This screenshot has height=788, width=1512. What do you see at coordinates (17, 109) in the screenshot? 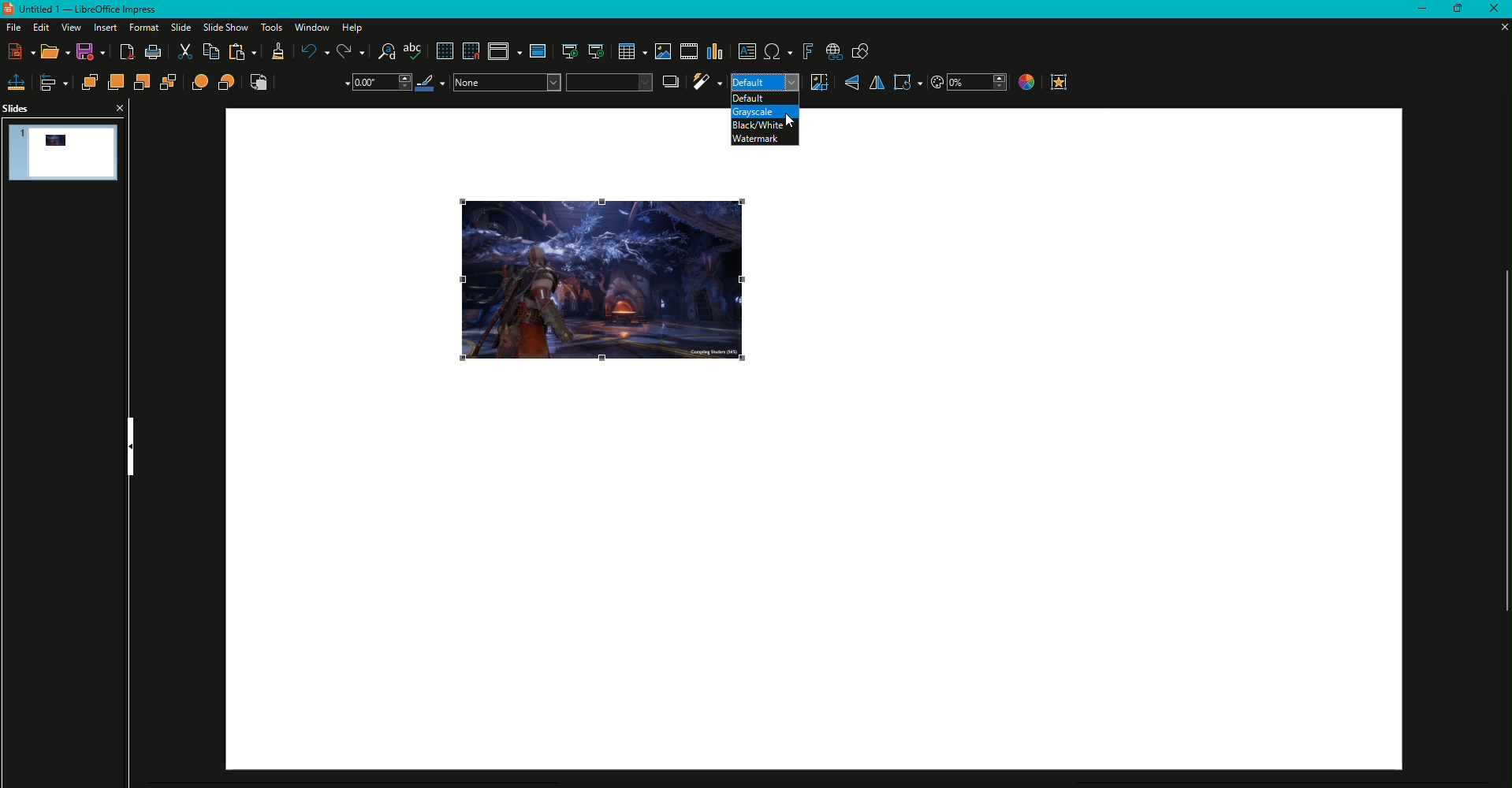
I see `Slides` at bounding box center [17, 109].